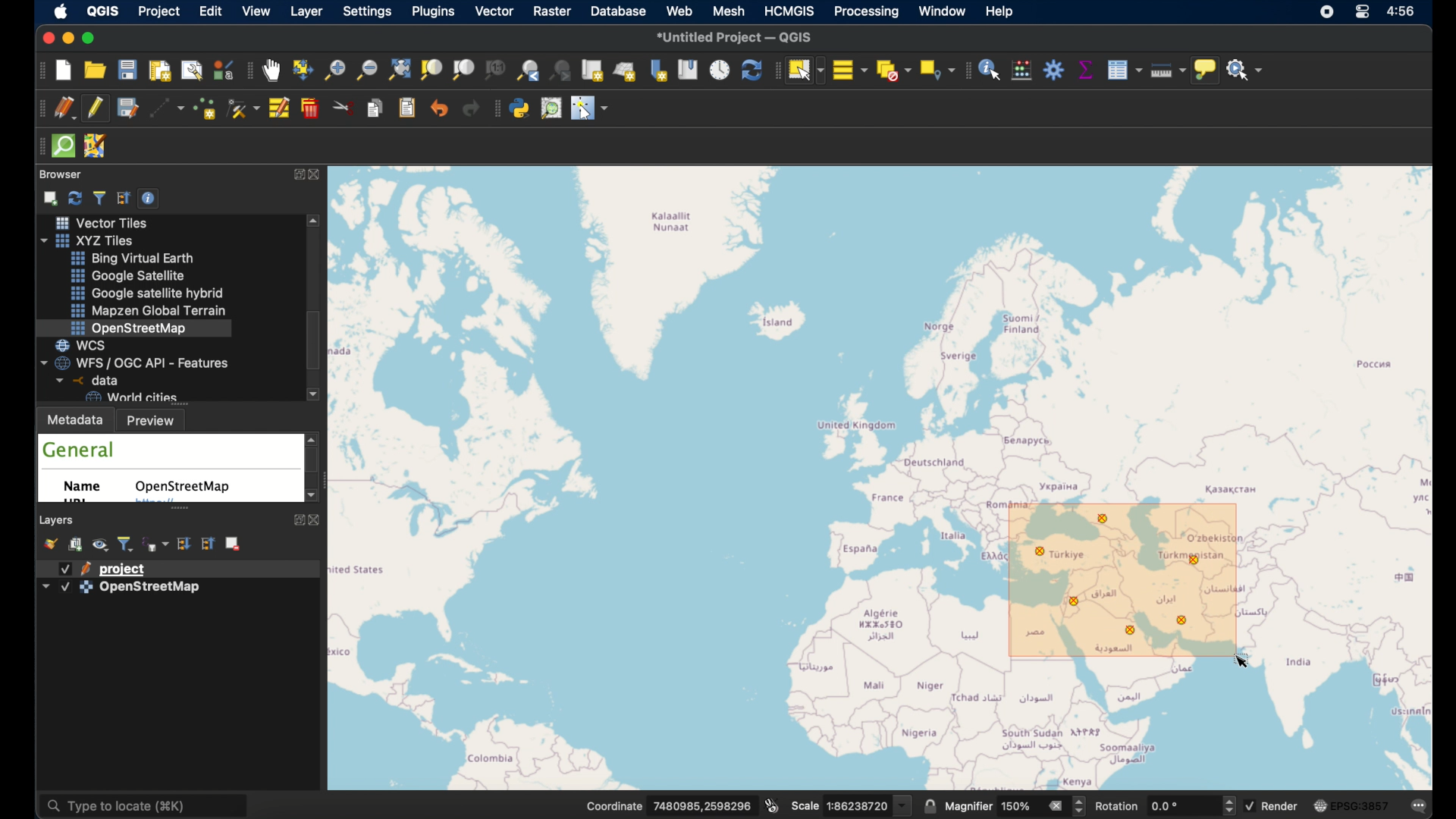 This screenshot has height=819, width=1456. Describe the element at coordinates (45, 585) in the screenshot. I see `dropdown` at that location.